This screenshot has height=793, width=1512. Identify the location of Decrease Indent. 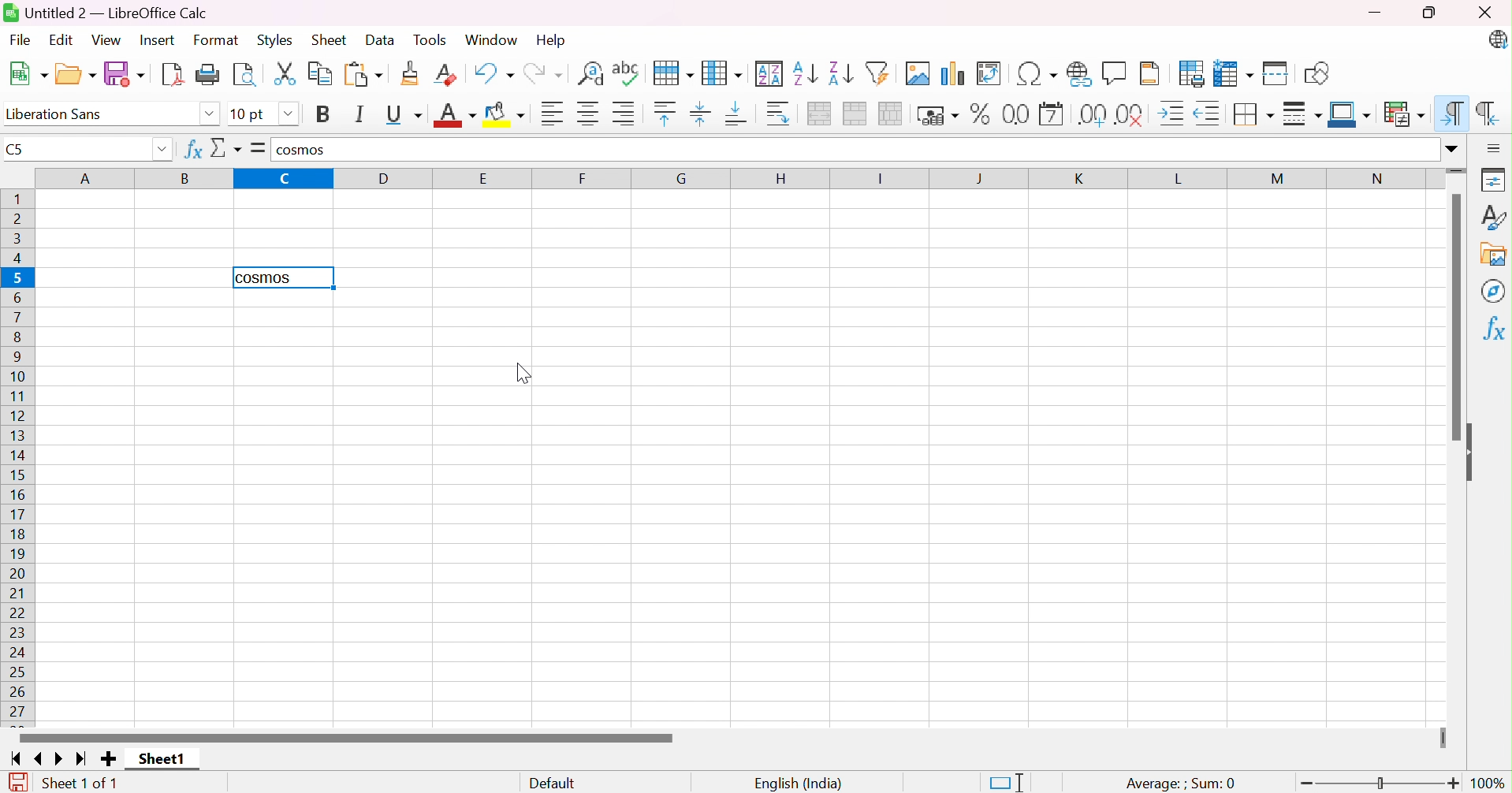
(1210, 114).